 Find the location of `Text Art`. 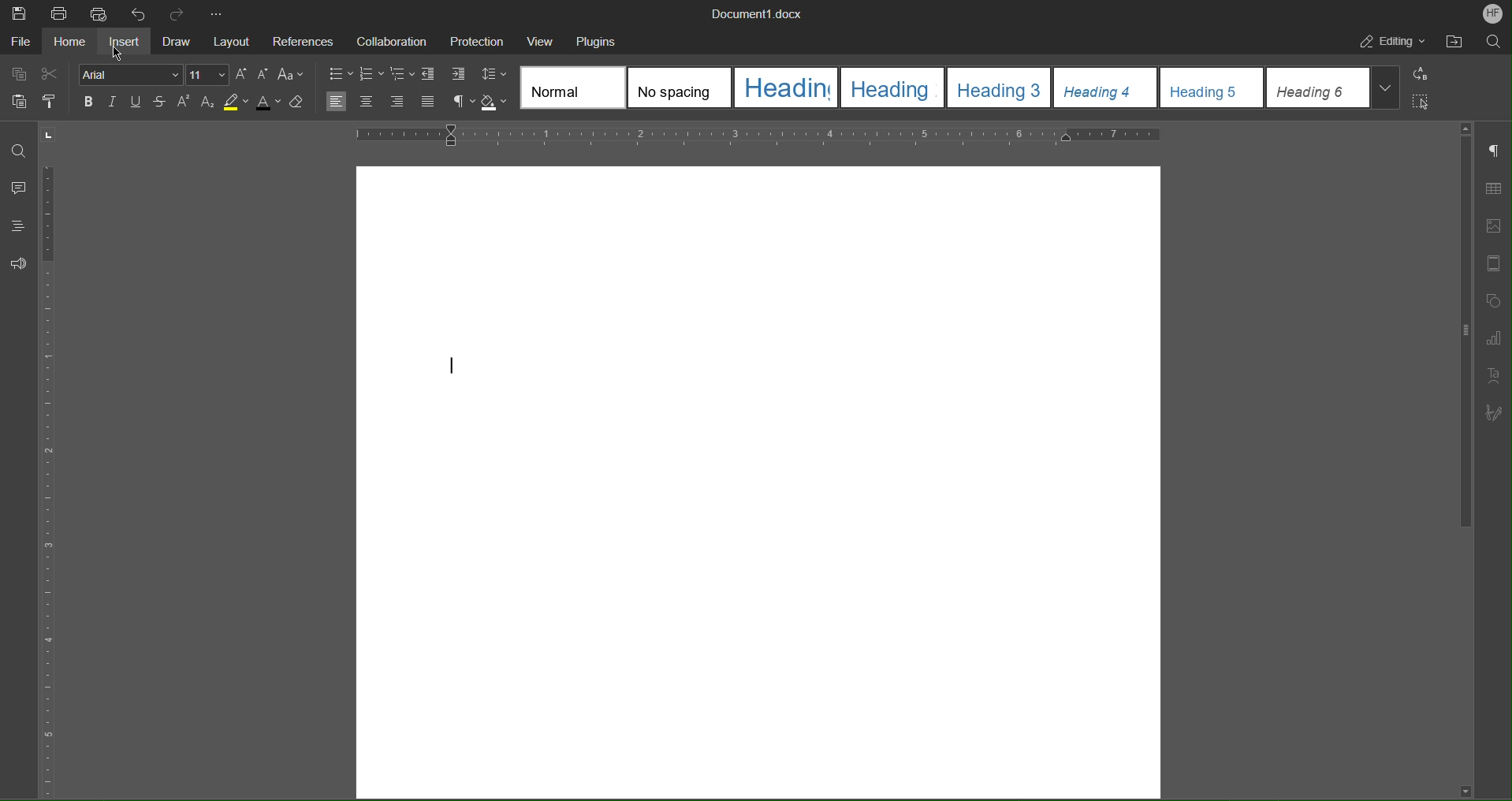

Text Art is located at coordinates (1493, 378).